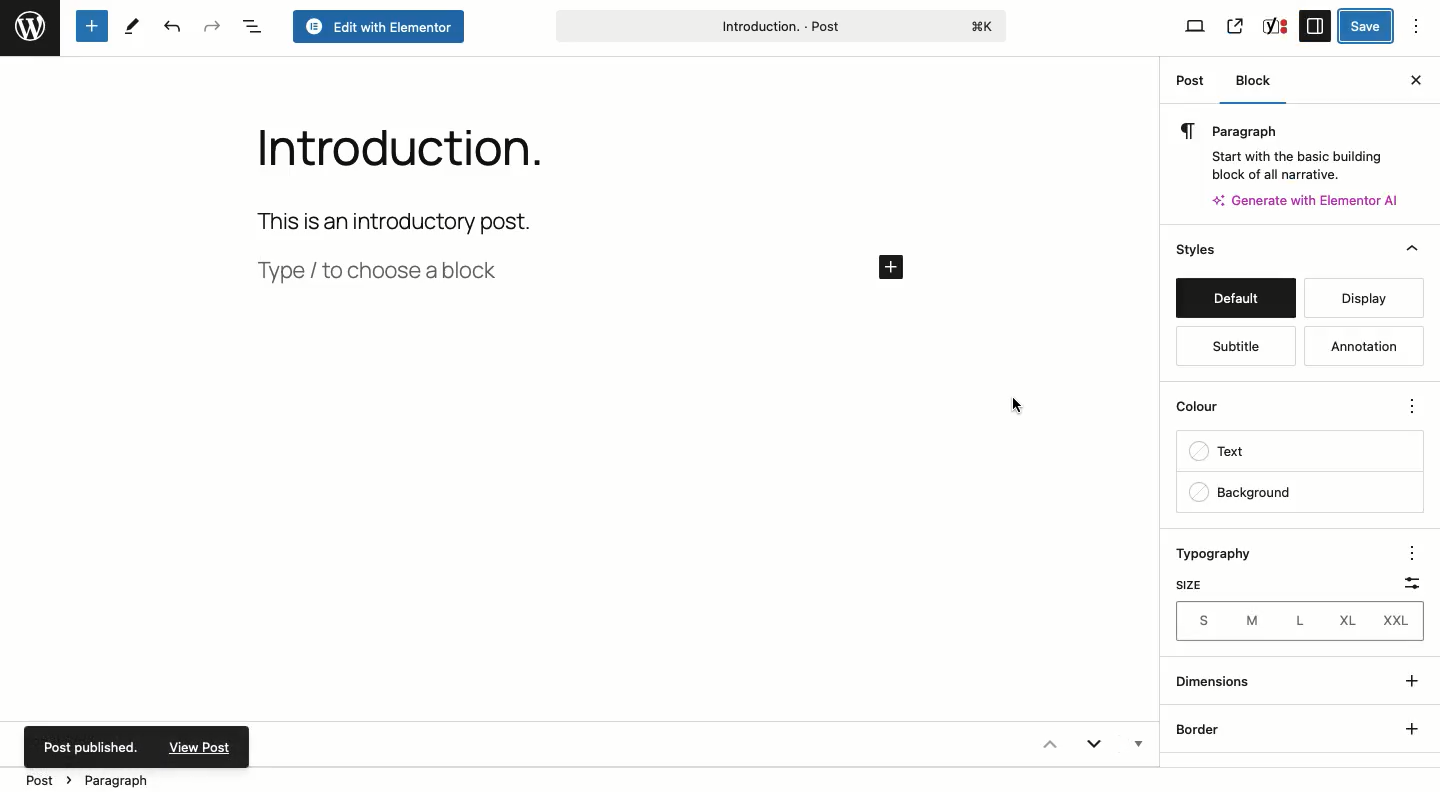 The height and width of the screenshot is (792, 1440). I want to click on Redo, so click(213, 26).